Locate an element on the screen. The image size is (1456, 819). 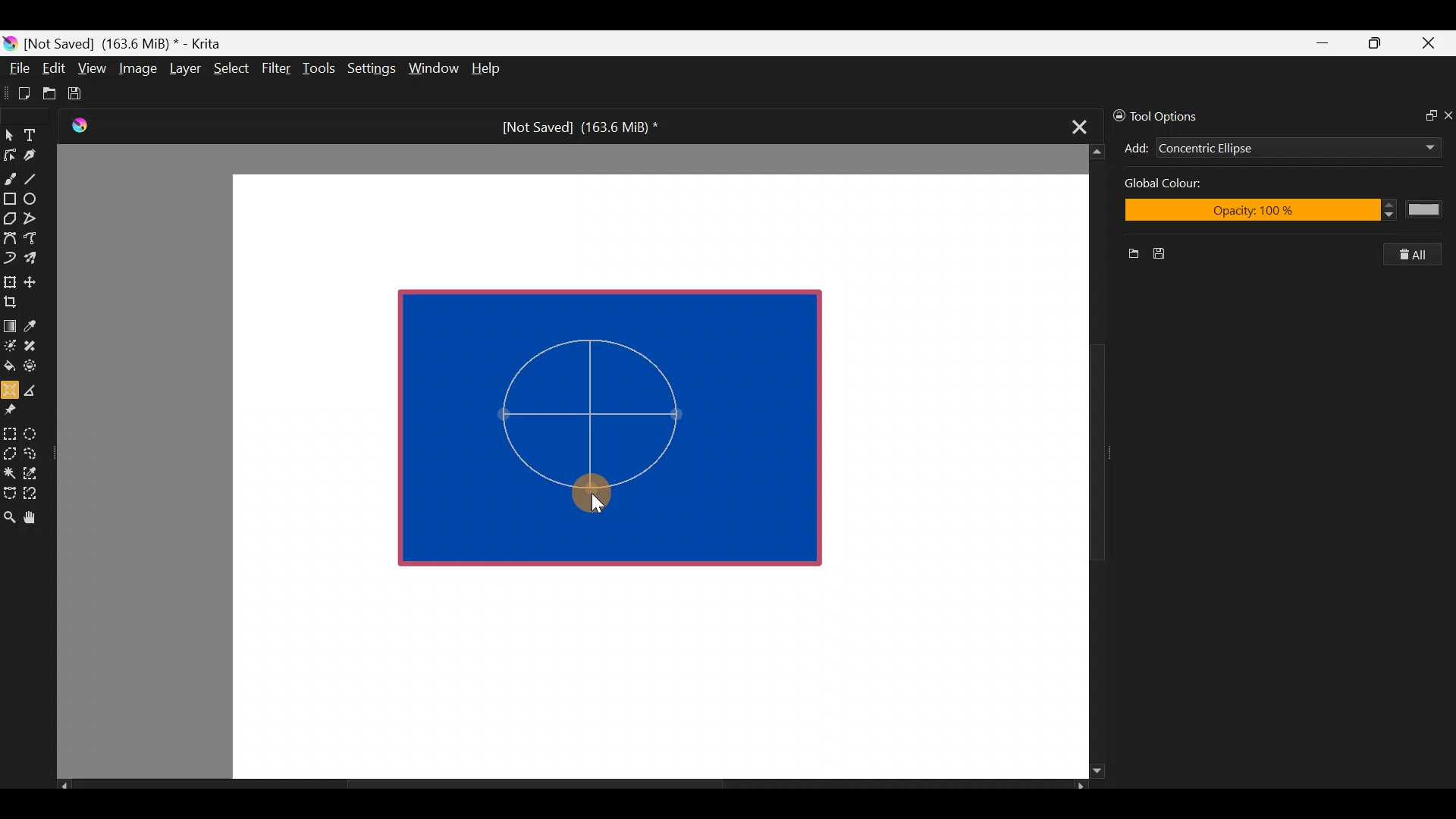
Polygonal section tool is located at coordinates (9, 450).